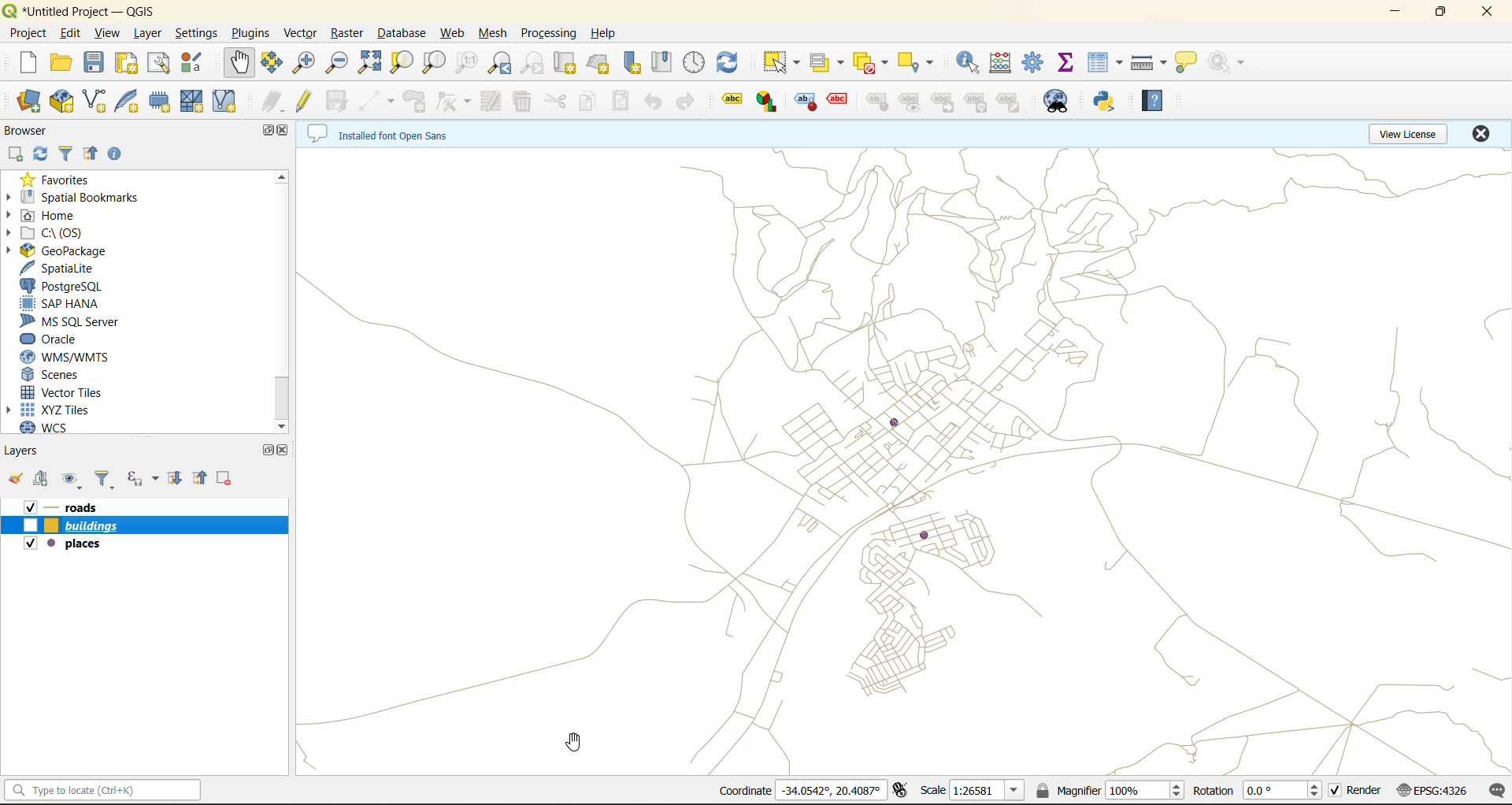 This screenshot has height=805, width=1512. I want to click on oracle, so click(60, 339).